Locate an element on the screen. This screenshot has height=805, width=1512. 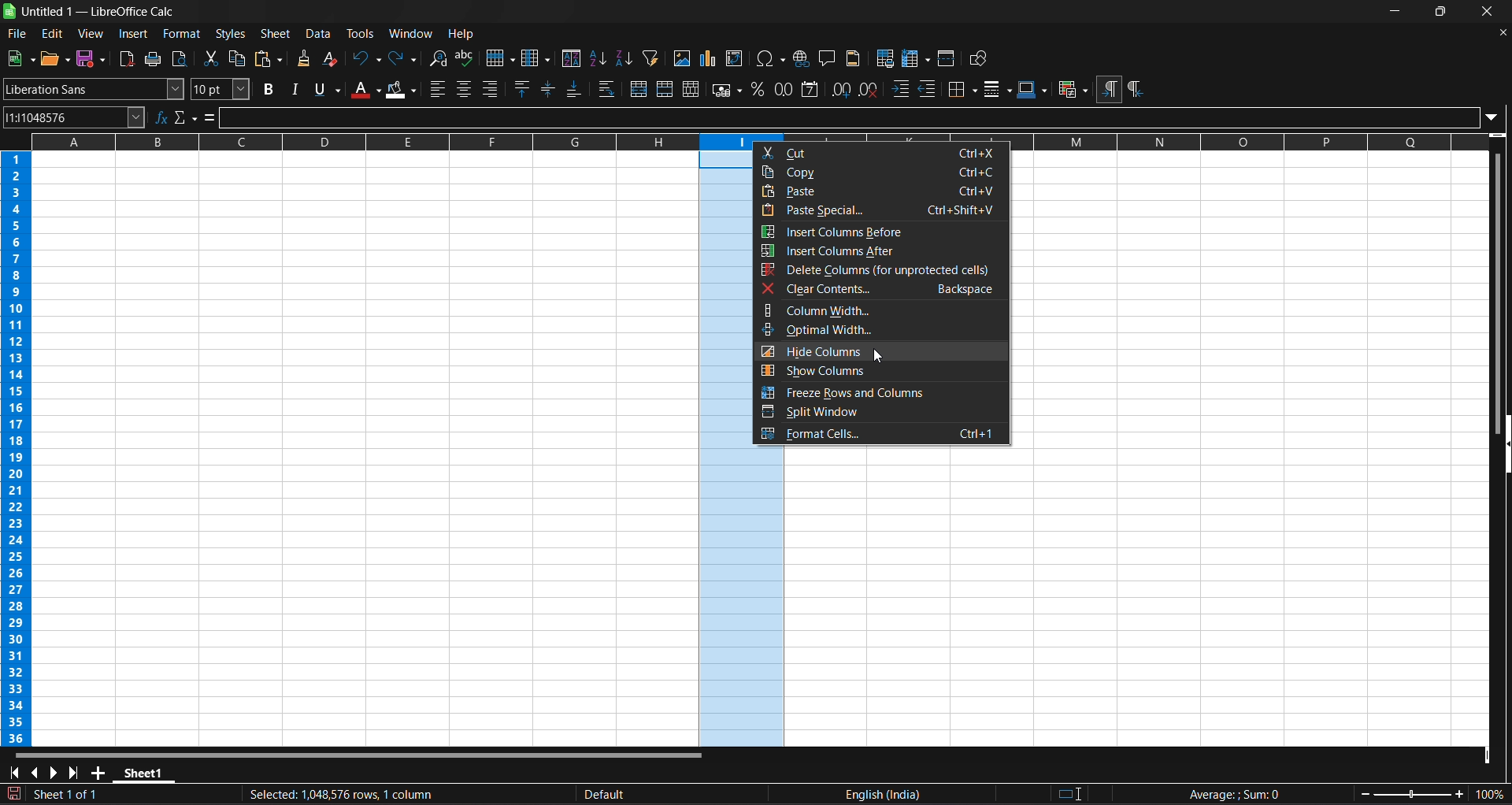
font size is located at coordinates (218, 89).